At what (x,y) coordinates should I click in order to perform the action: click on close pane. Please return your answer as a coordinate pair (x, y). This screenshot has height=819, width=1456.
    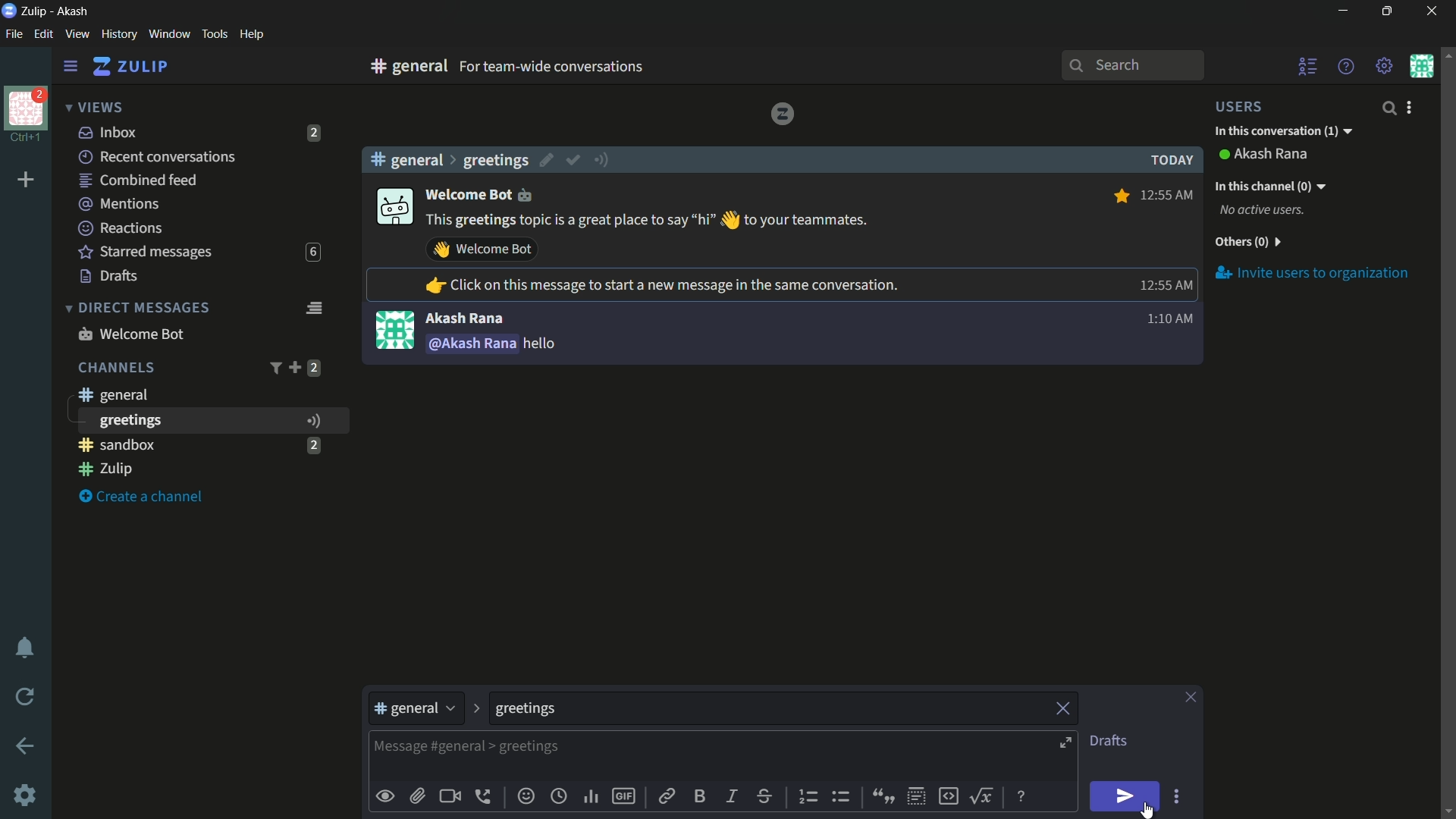
    Looking at the image, I should click on (1191, 698).